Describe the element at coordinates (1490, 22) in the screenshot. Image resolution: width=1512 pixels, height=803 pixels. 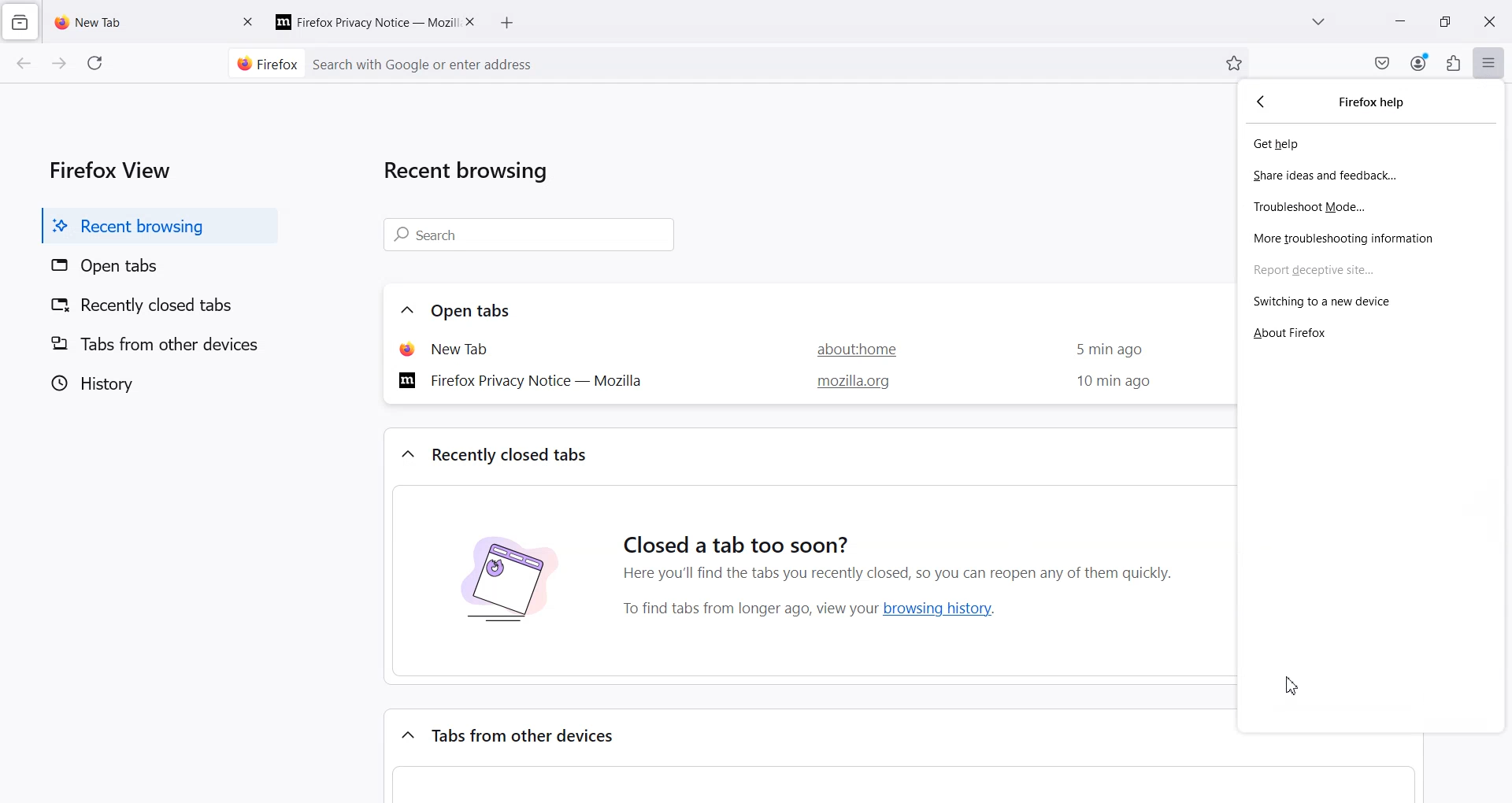
I see `Close` at that location.